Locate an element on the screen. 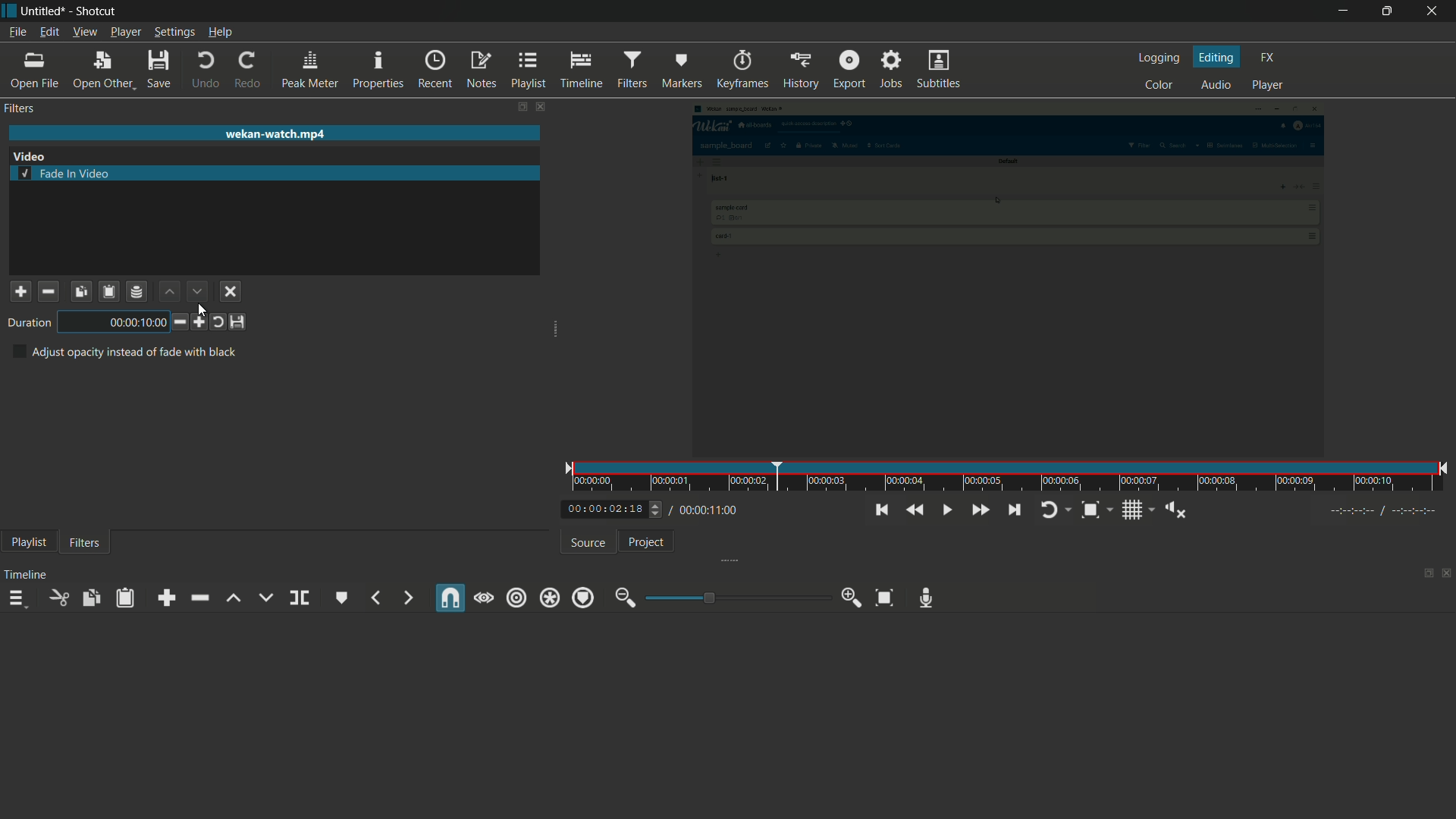  increment is located at coordinates (199, 322).